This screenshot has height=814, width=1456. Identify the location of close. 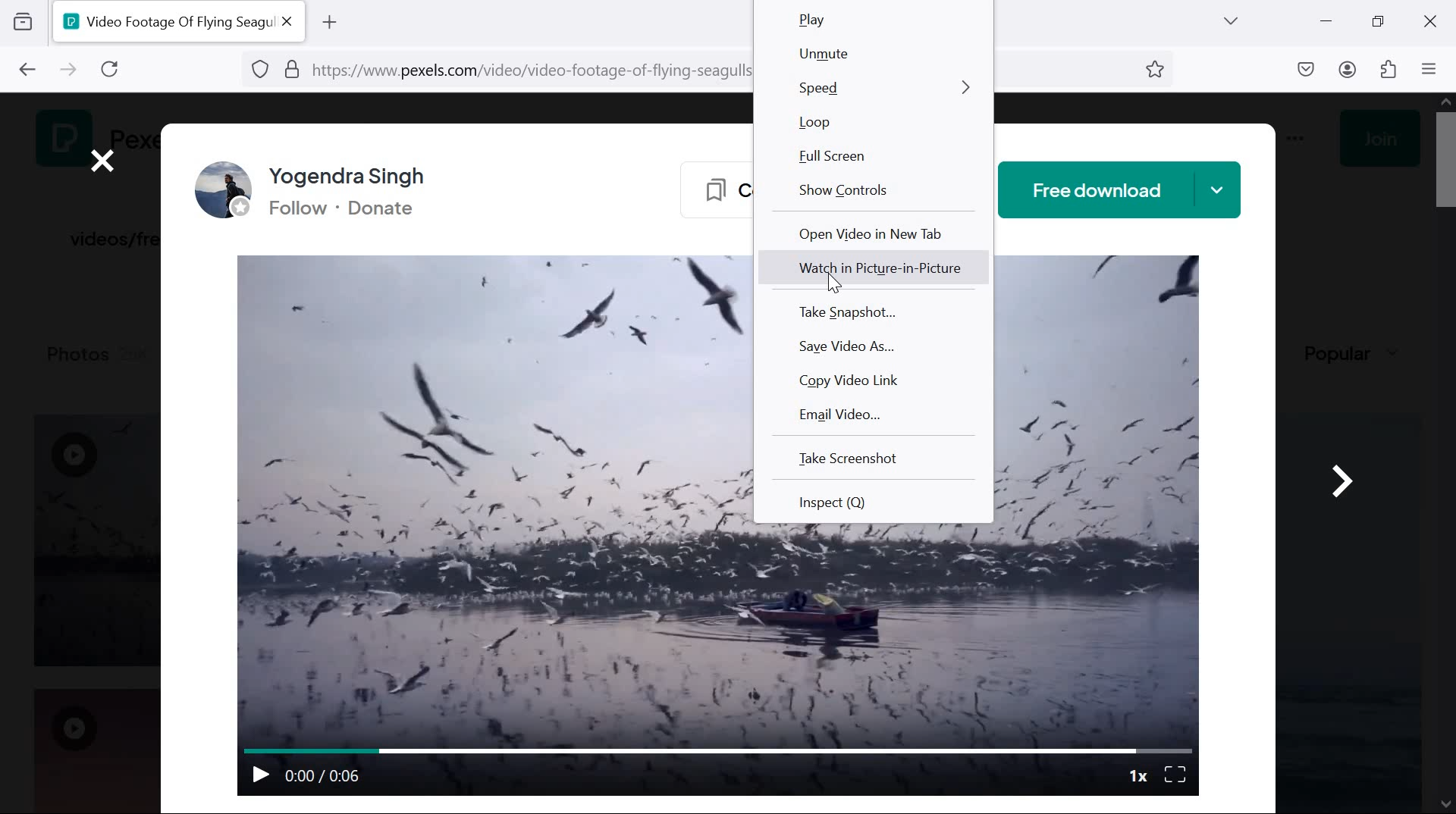
(1428, 21).